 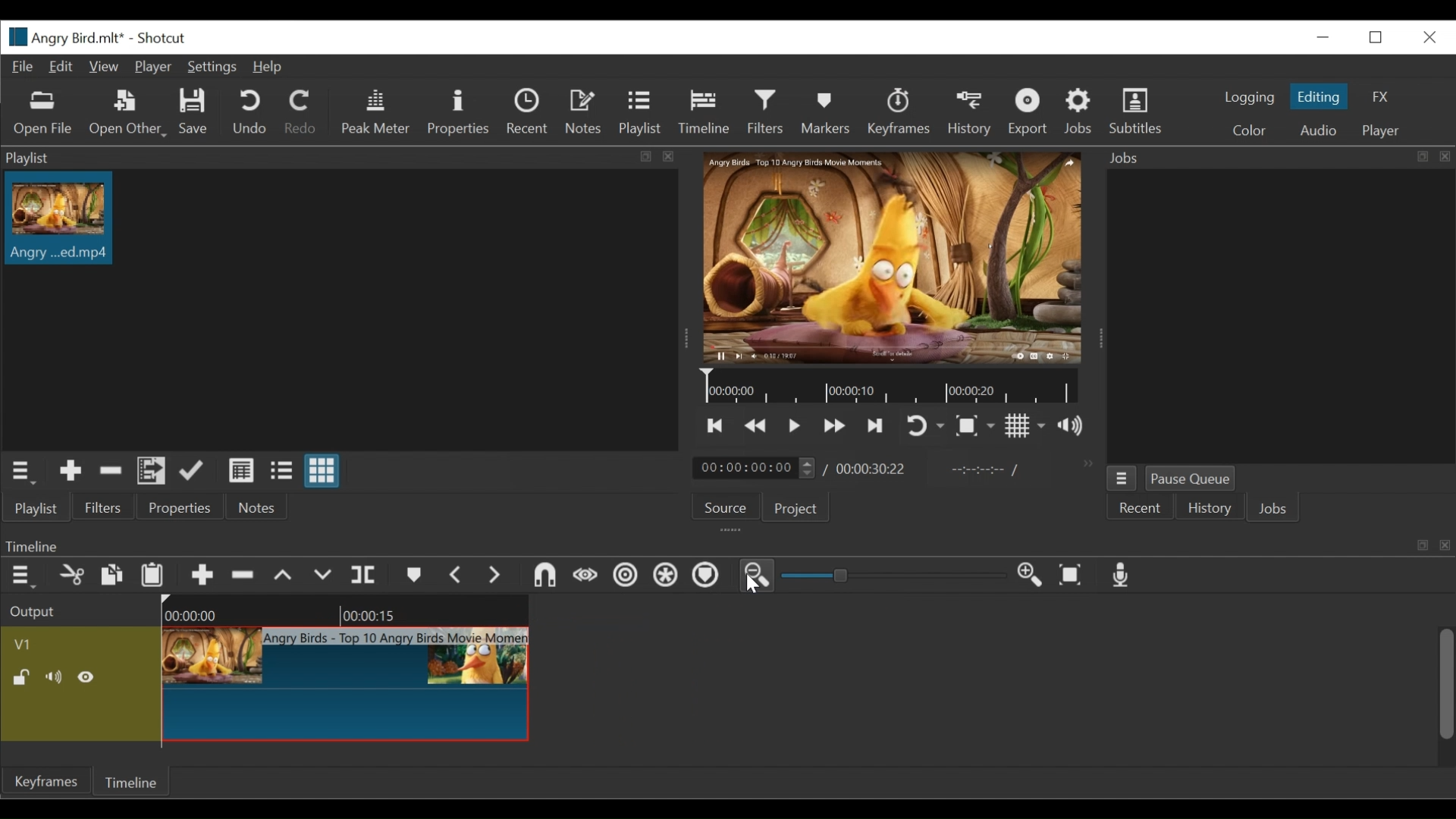 What do you see at coordinates (204, 575) in the screenshot?
I see `Append` at bounding box center [204, 575].